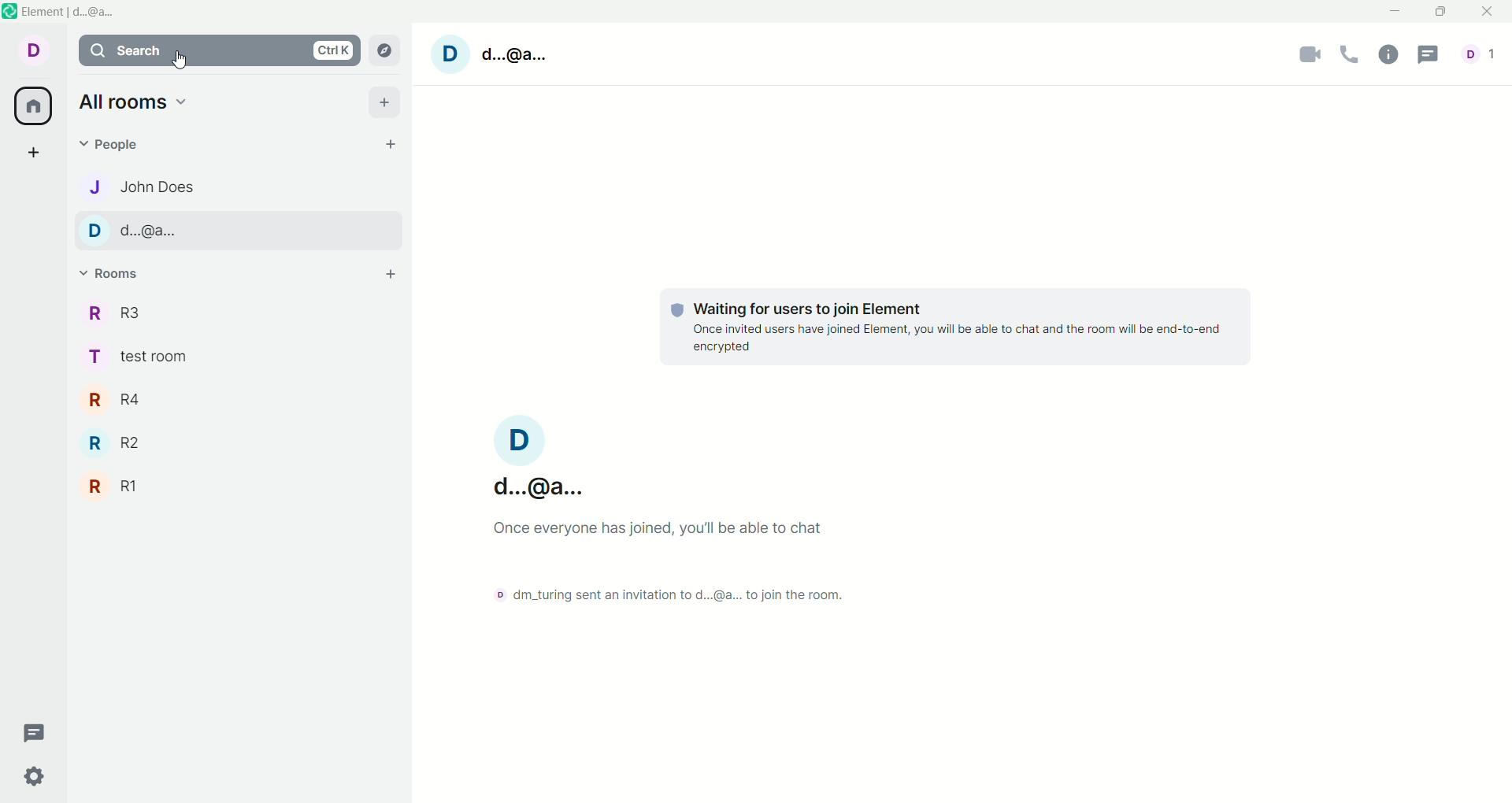  Describe the element at coordinates (30, 54) in the screenshot. I see `Current account` at that location.